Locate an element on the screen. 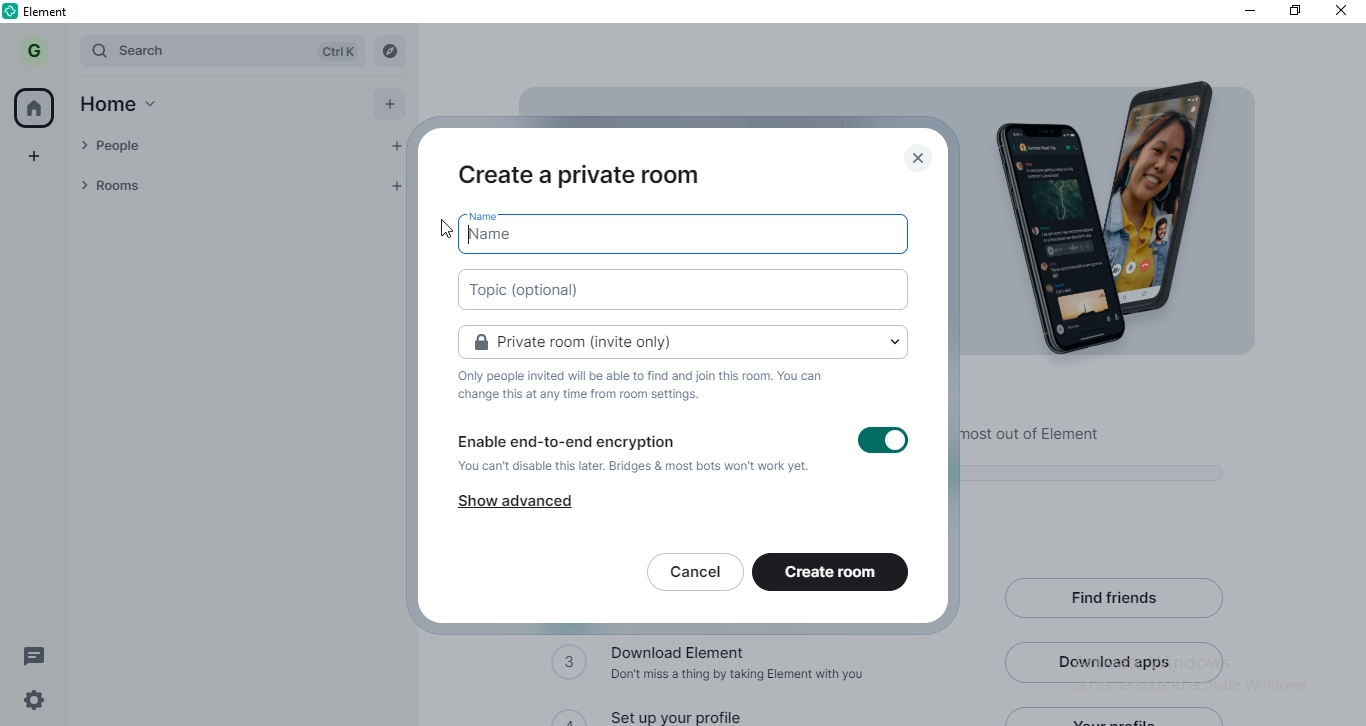 Image resolution: width=1366 pixels, height=726 pixels. minimise is located at coordinates (1243, 11).